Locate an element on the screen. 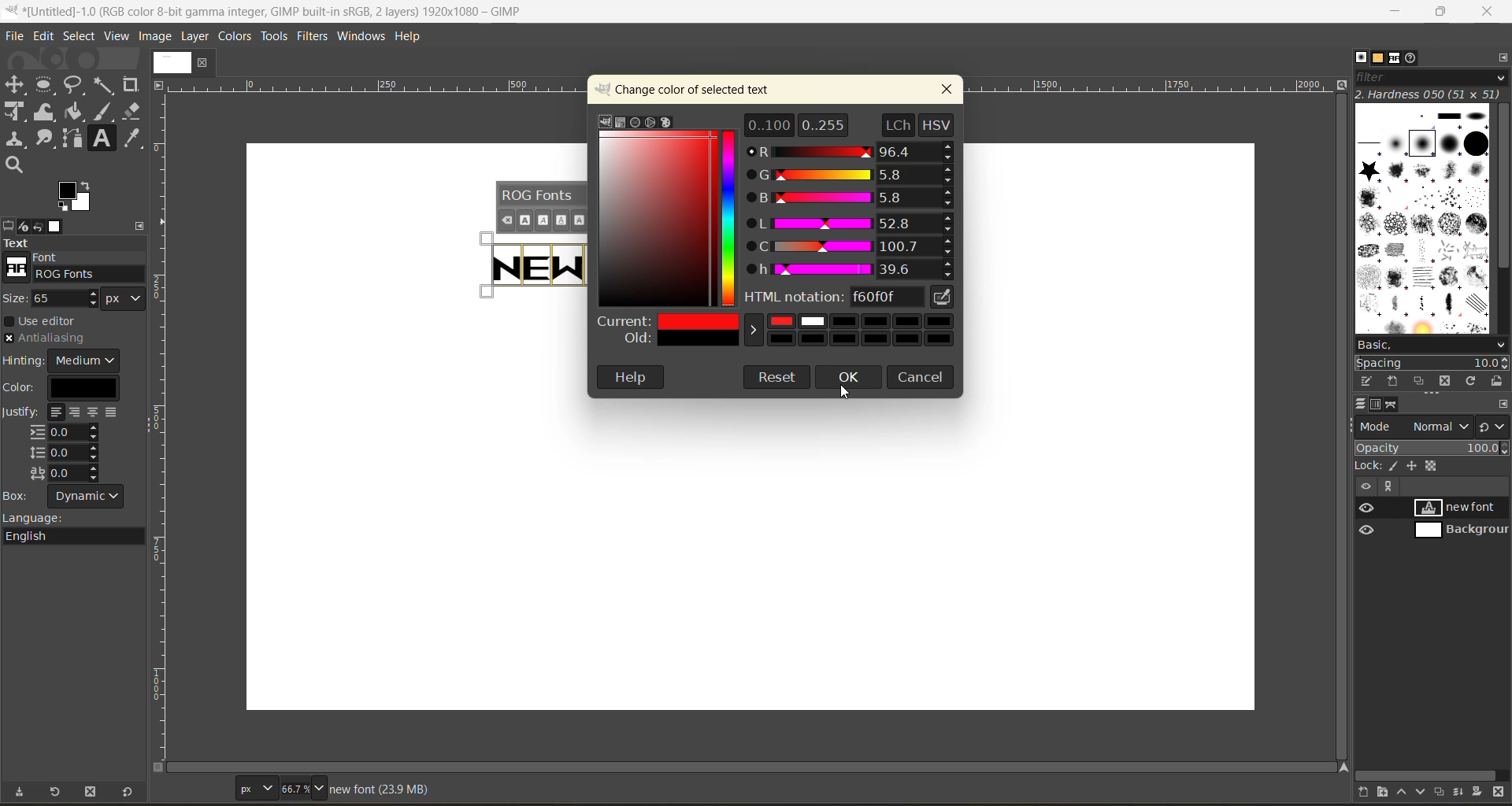 The image size is (1512, 806). scale is located at coordinates (377, 85).